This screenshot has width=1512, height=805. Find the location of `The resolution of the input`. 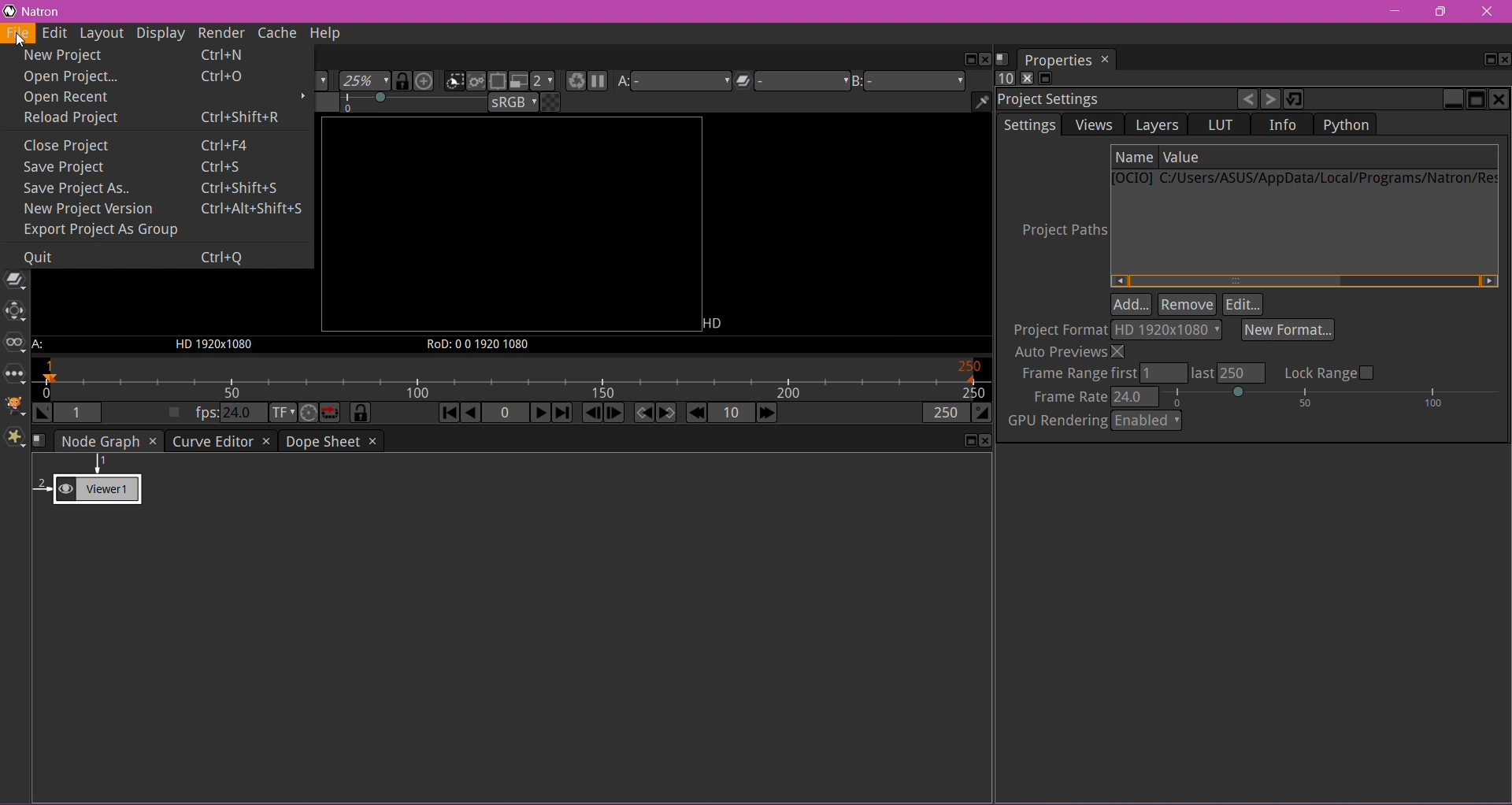

The resolution of the input is located at coordinates (213, 344).